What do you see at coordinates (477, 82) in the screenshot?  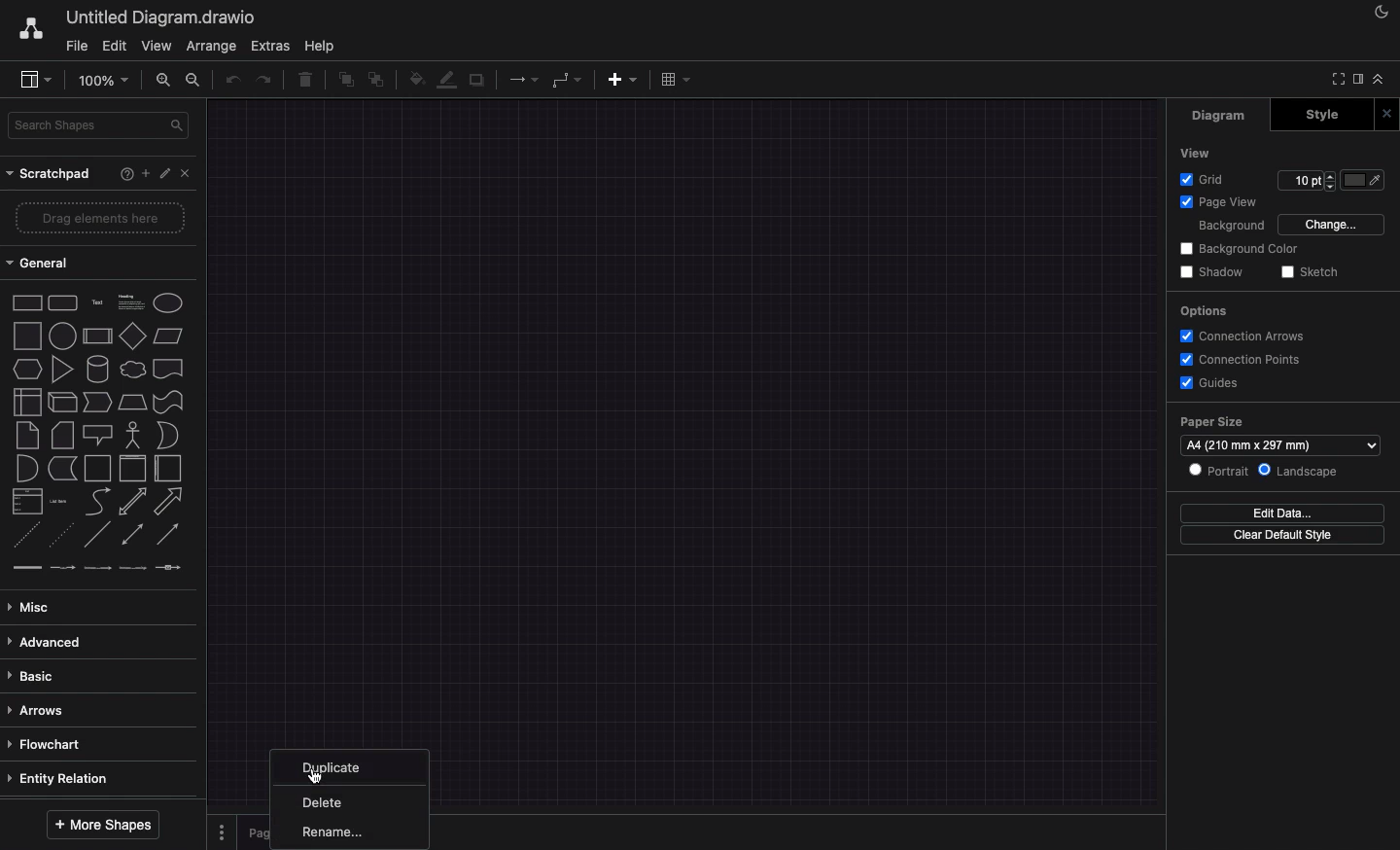 I see `shadow` at bounding box center [477, 82].